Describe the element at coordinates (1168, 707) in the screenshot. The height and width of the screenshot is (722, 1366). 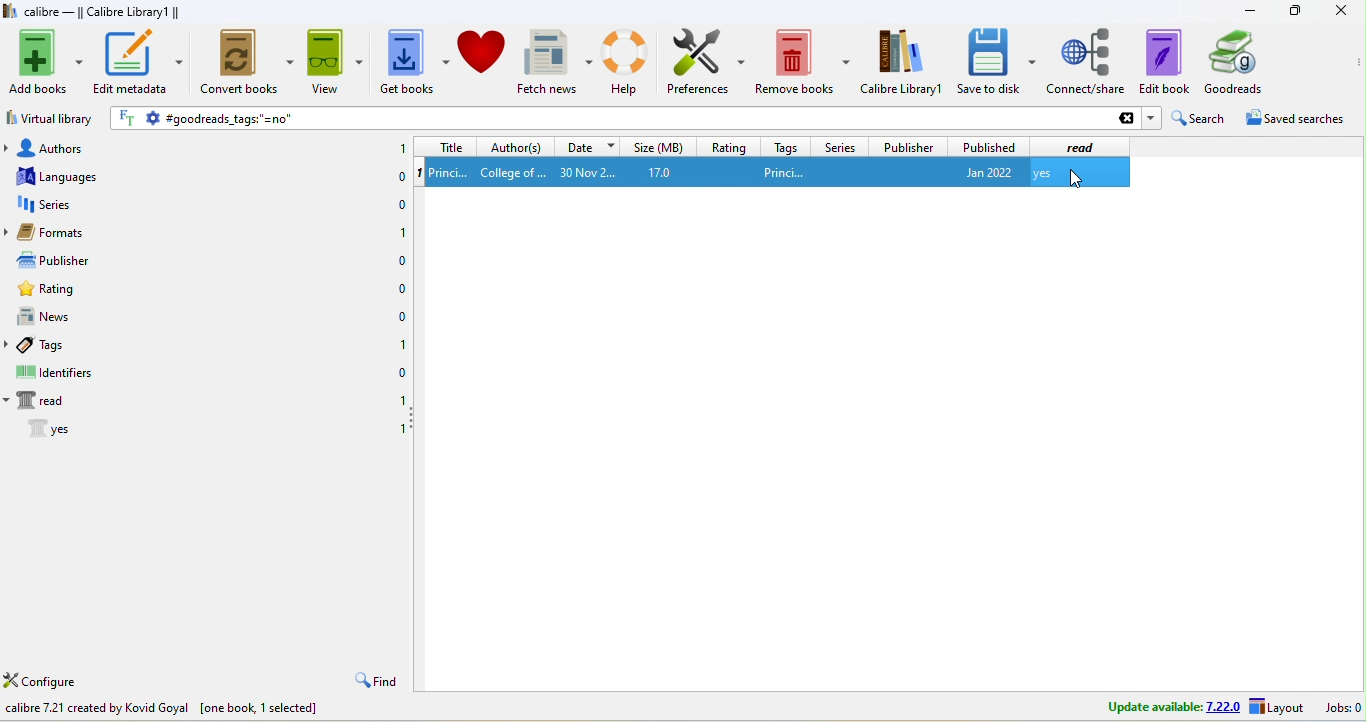
I see `update avalable 7.22.0` at that location.